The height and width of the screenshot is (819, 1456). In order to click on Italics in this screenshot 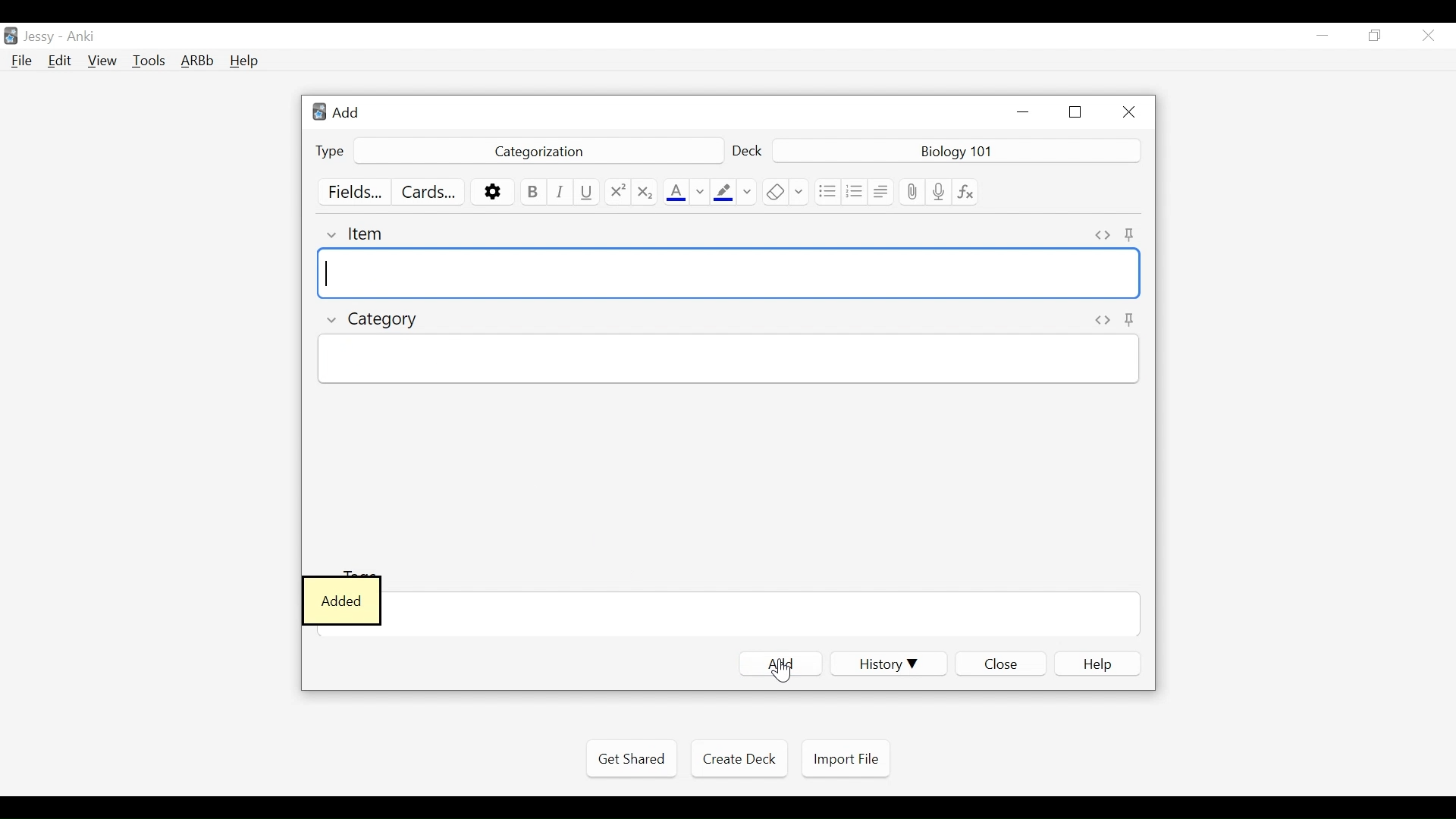, I will do `click(563, 191)`.